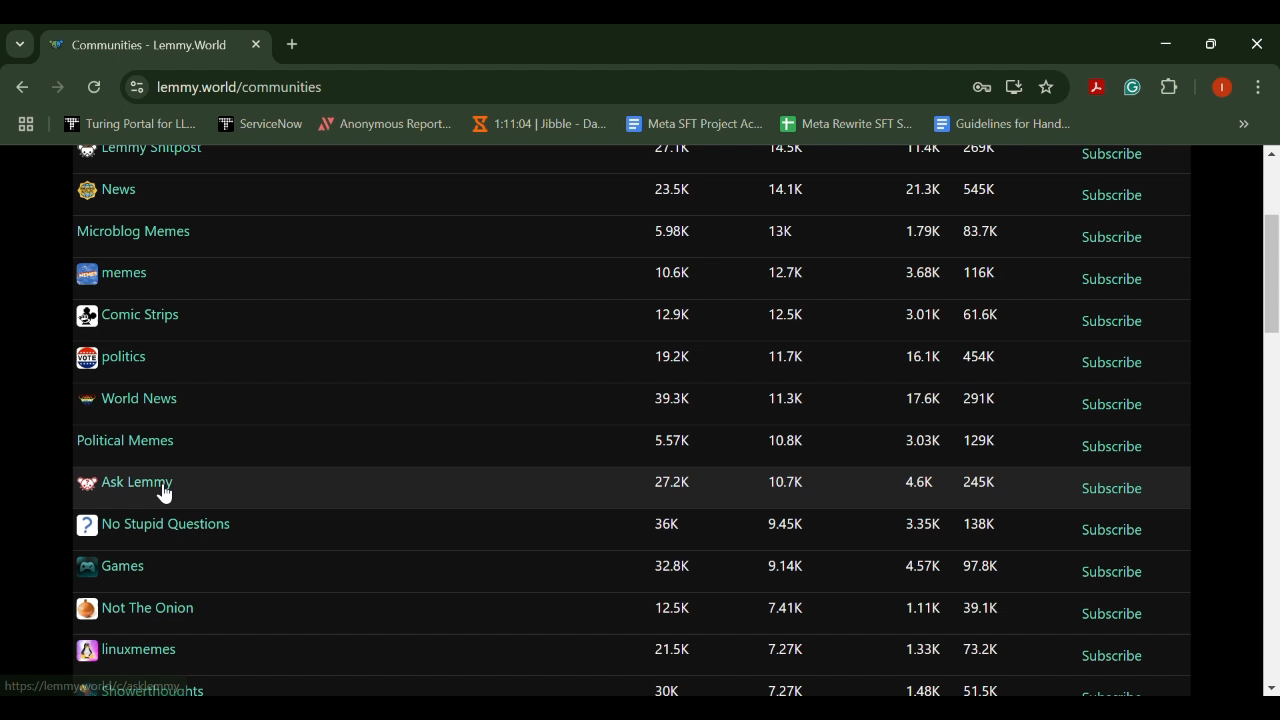 The image size is (1280, 720). Describe the element at coordinates (788, 314) in the screenshot. I see `12.5K` at that location.